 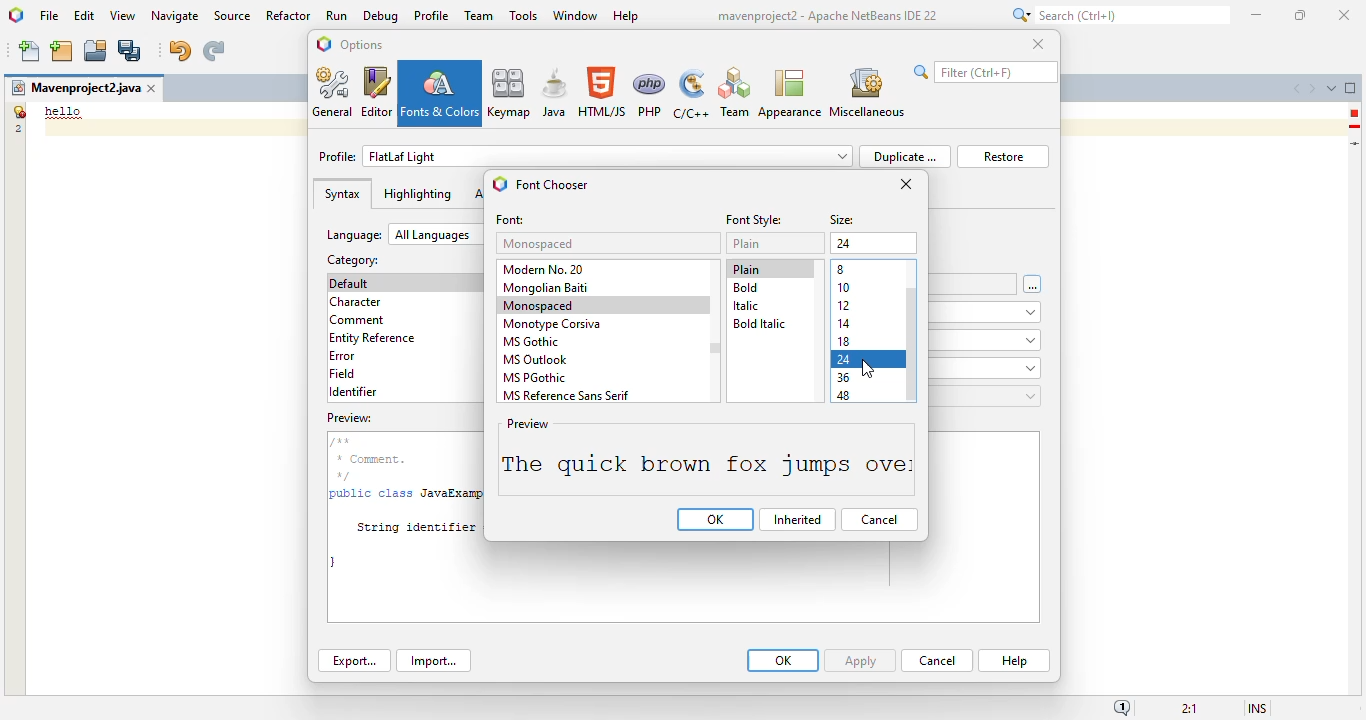 I want to click on 10, so click(x=845, y=288).